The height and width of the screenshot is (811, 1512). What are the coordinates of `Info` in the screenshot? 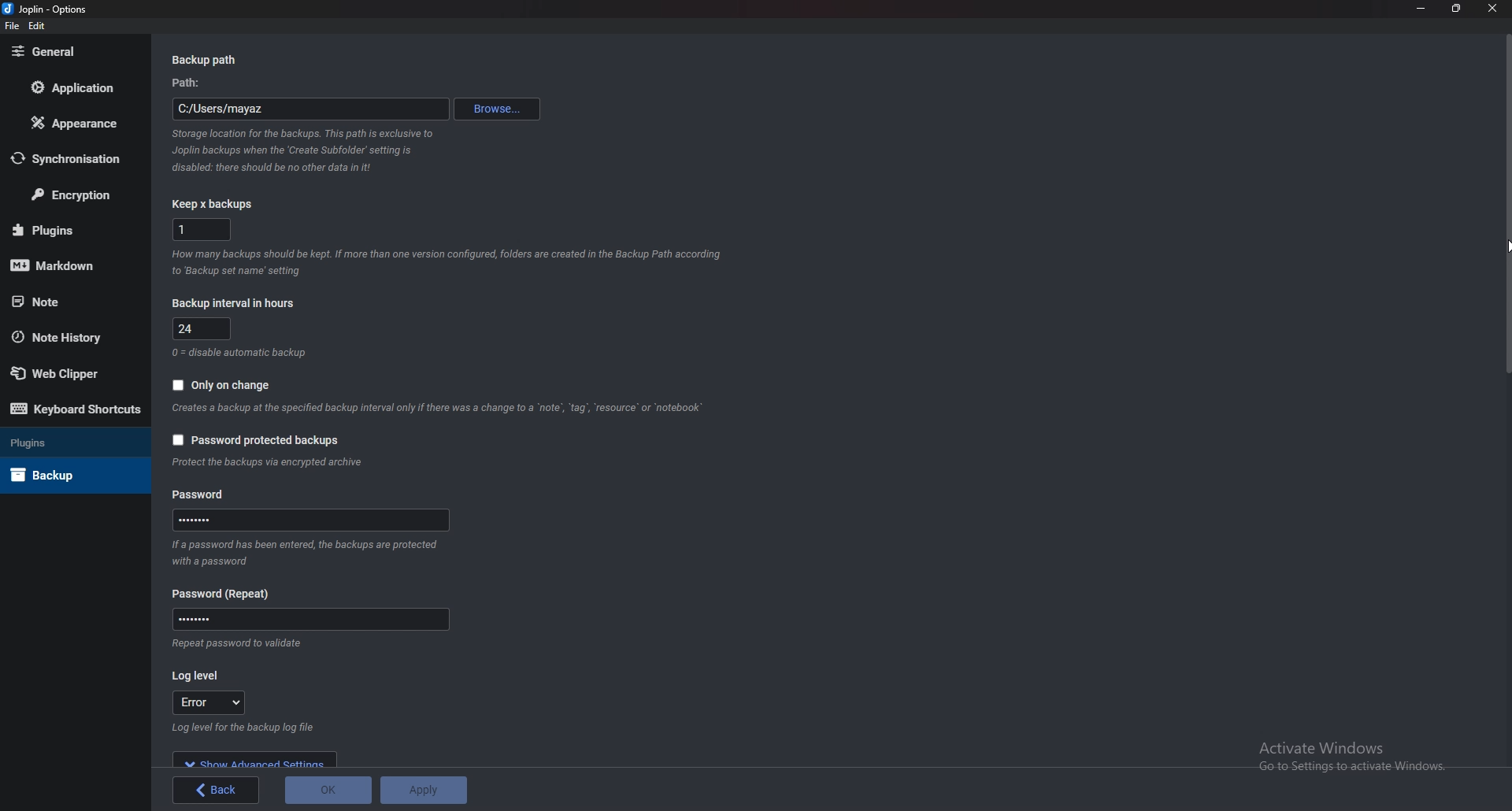 It's located at (242, 351).